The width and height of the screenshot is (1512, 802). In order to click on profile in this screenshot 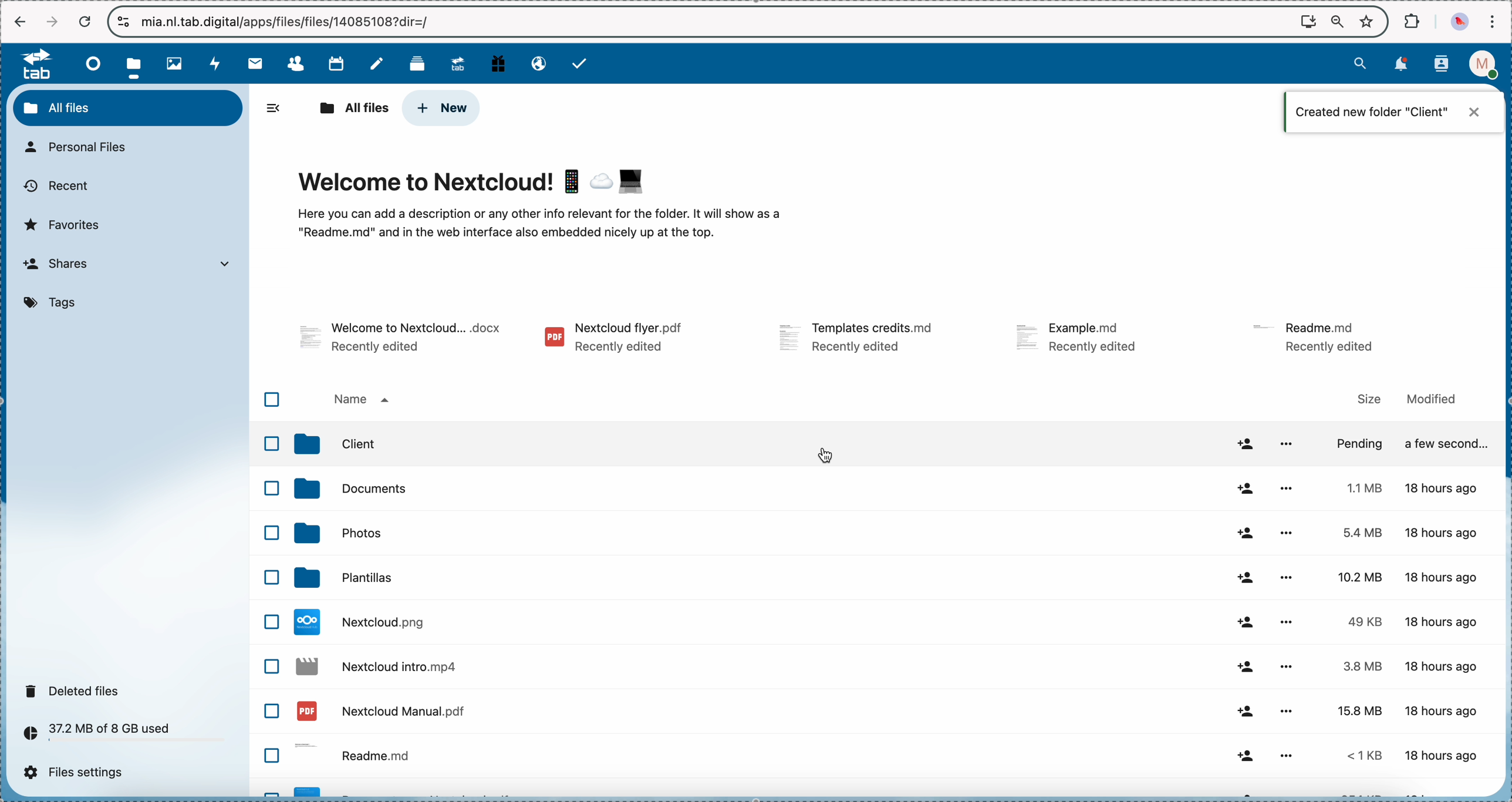, I will do `click(1487, 65)`.